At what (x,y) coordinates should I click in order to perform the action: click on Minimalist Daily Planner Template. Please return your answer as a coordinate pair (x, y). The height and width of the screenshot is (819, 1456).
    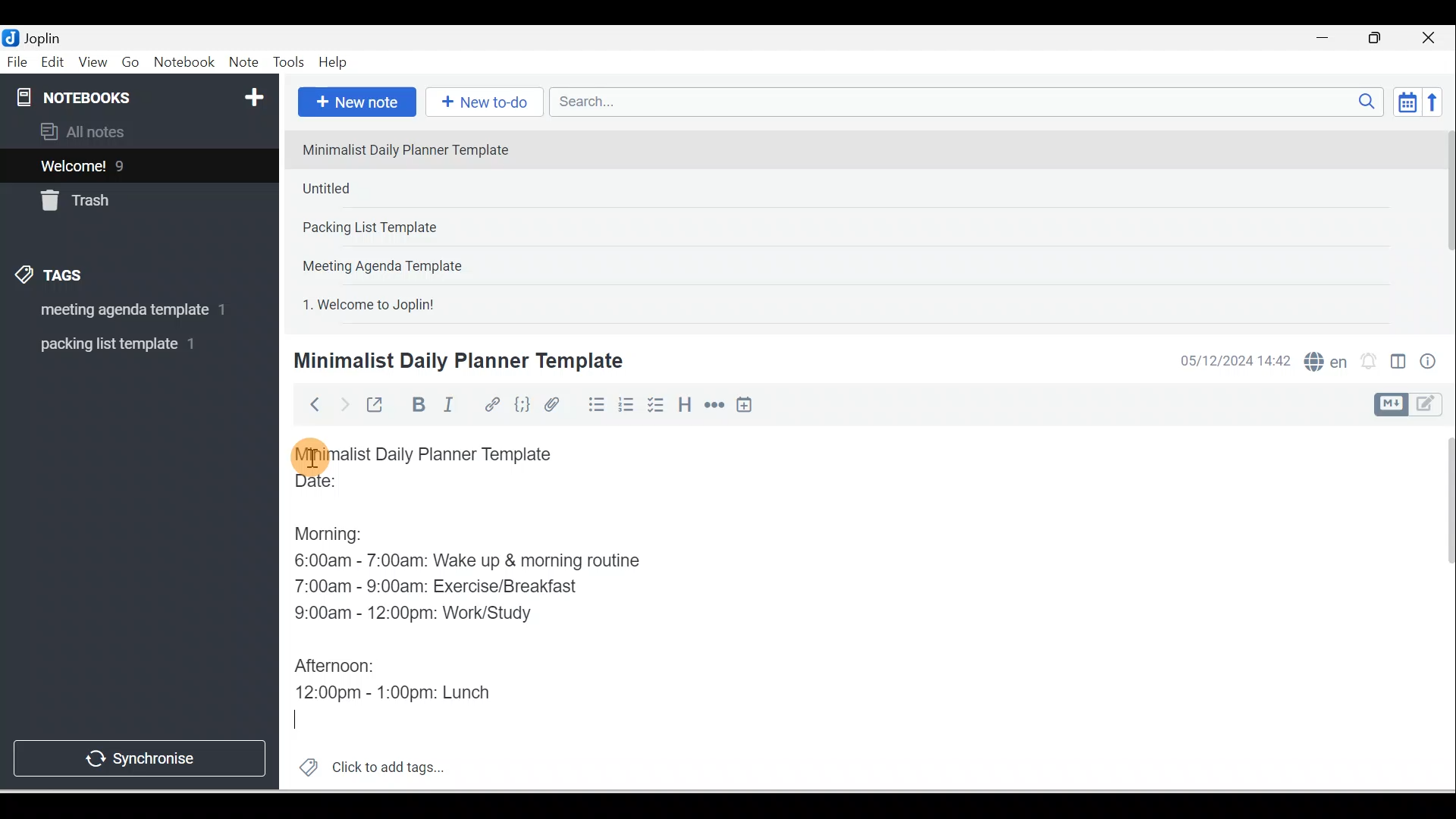
    Looking at the image, I should click on (438, 454).